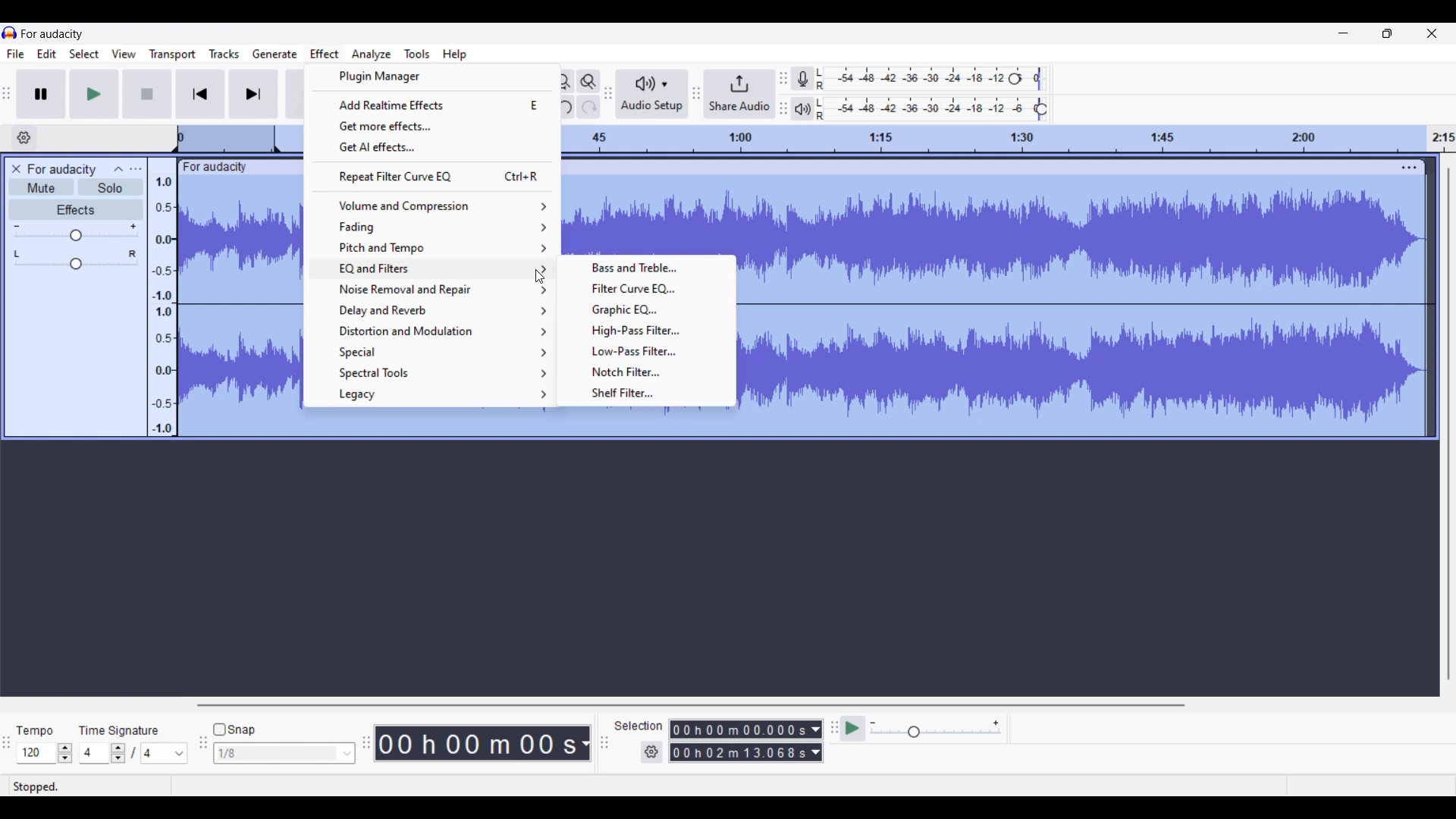 The height and width of the screenshot is (819, 1456). I want to click on Snap toggle, so click(234, 730).